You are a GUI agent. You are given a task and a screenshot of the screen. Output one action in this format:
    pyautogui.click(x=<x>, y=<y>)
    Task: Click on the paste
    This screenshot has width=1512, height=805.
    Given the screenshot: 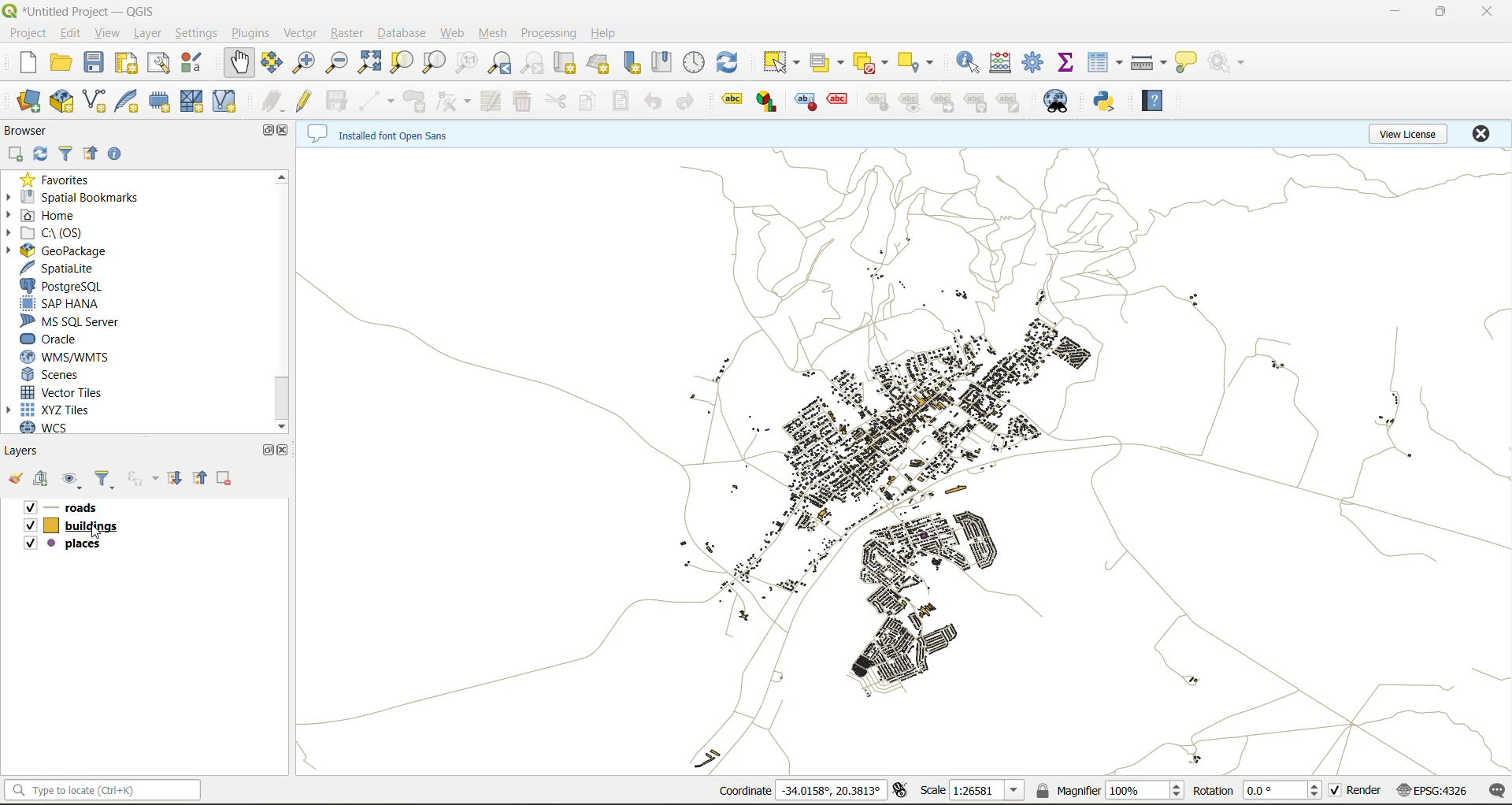 What is the action you would take?
    pyautogui.click(x=624, y=102)
    